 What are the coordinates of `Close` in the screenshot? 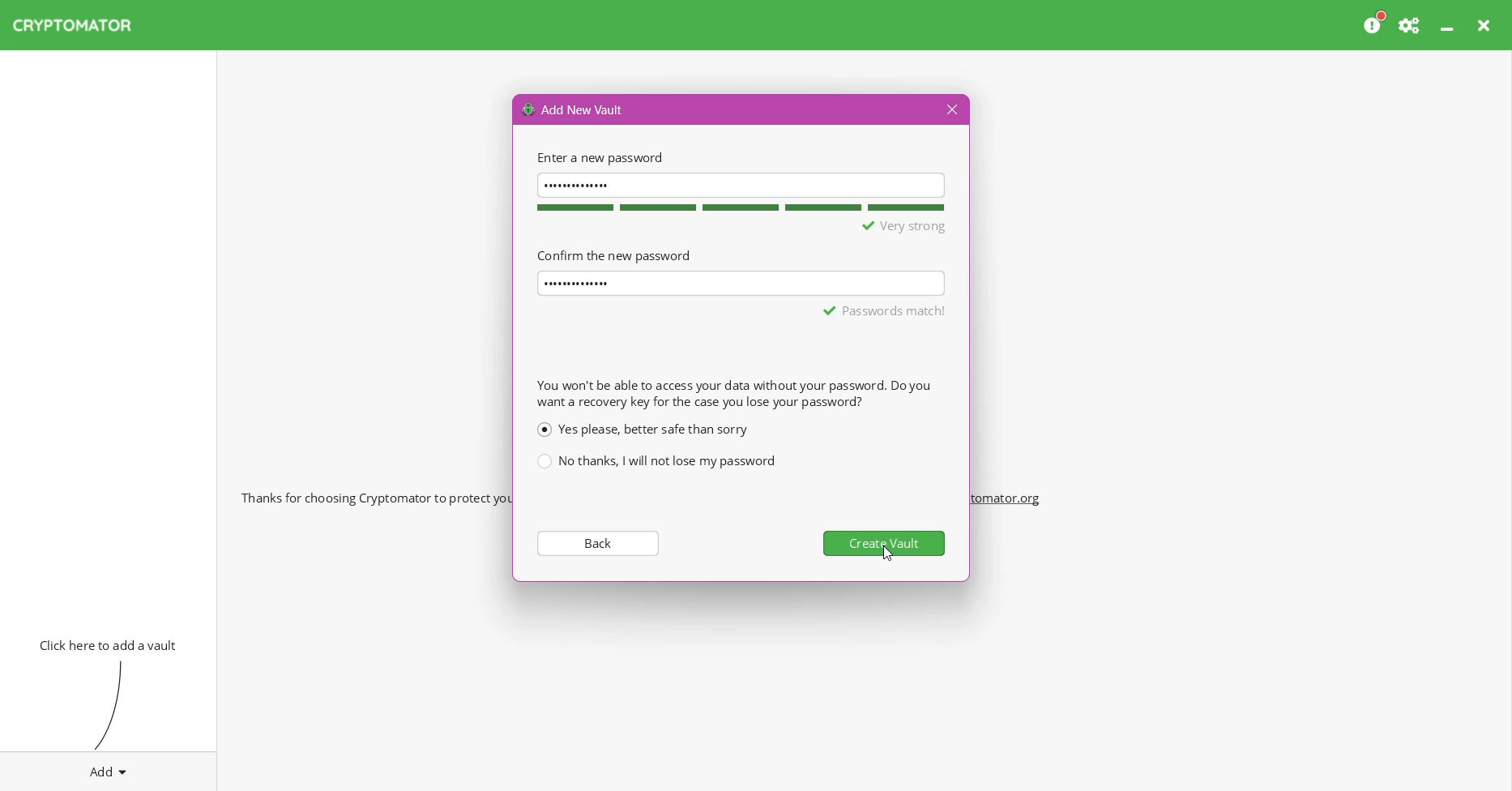 It's located at (1486, 25).